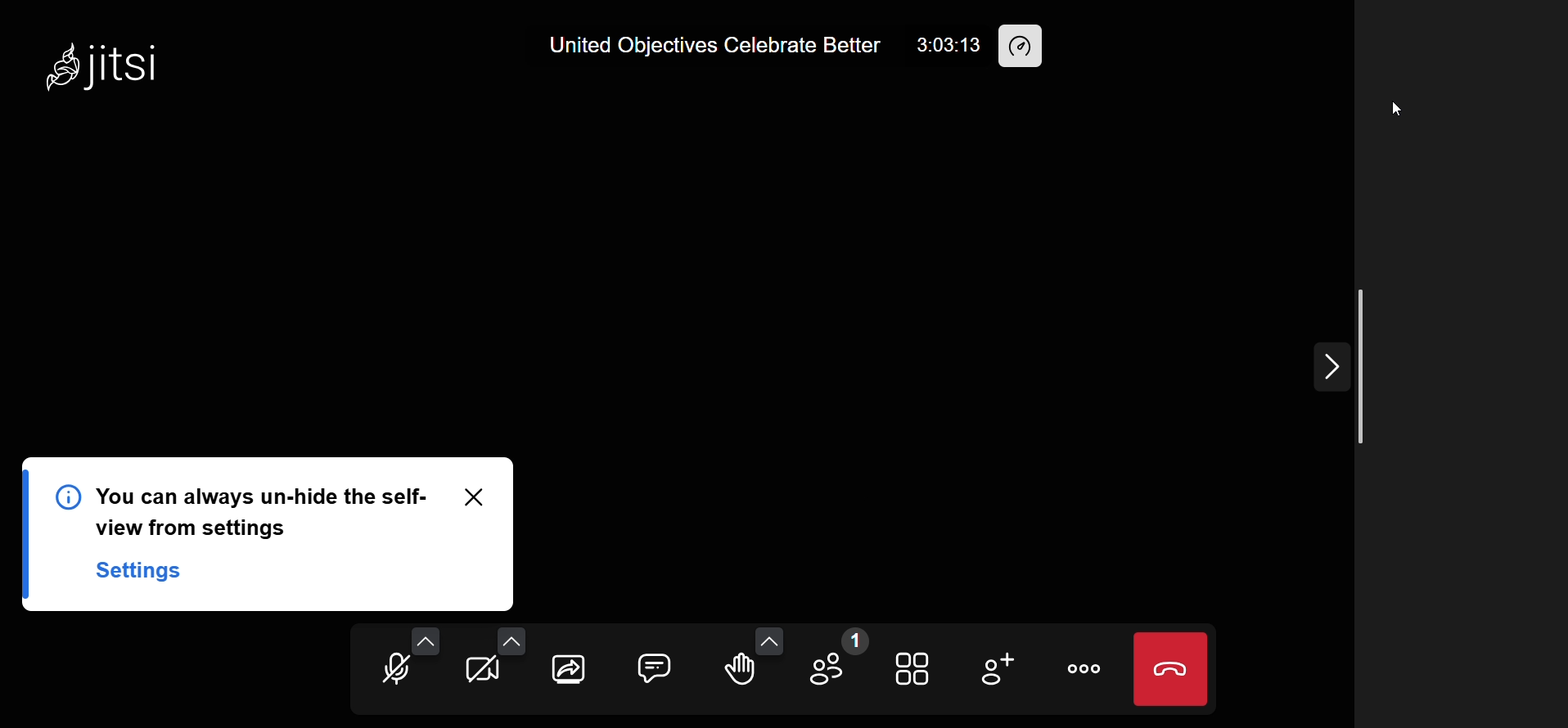  Describe the element at coordinates (655, 667) in the screenshot. I see `chat` at that location.